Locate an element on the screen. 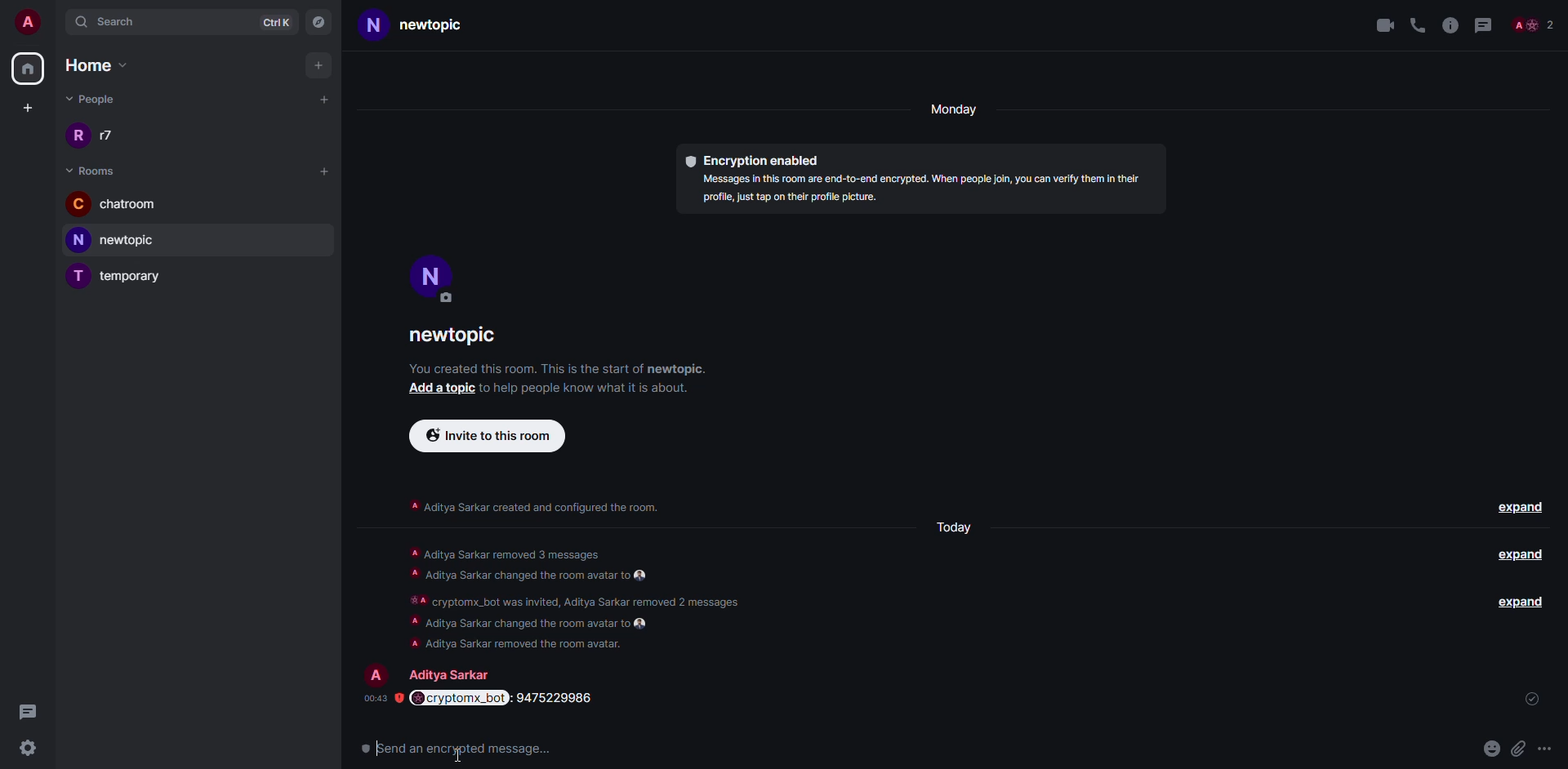 This screenshot has height=769, width=1568. temporary is located at coordinates (119, 278).